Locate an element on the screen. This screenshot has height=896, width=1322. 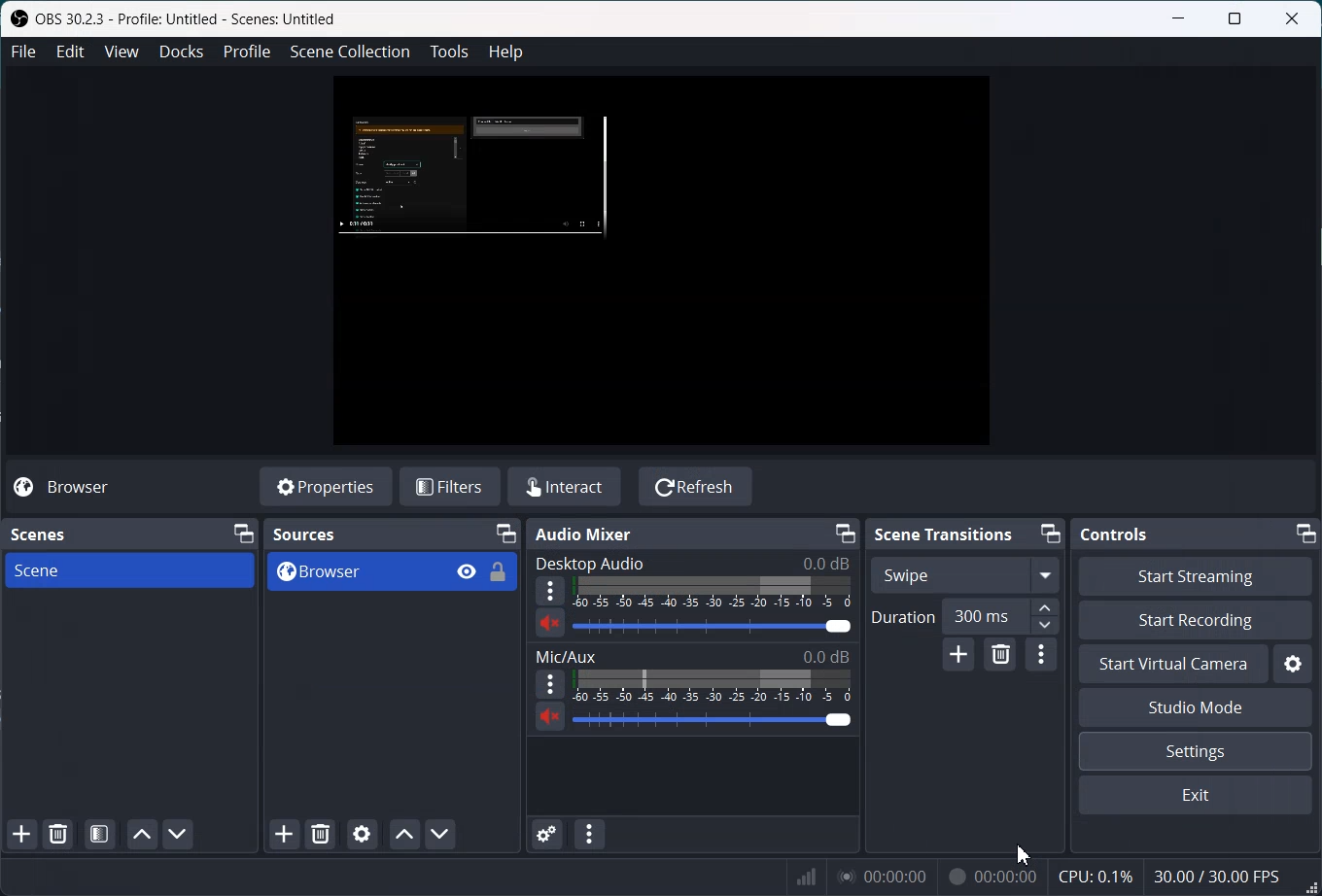
Audio mixer menu is located at coordinates (591, 834).